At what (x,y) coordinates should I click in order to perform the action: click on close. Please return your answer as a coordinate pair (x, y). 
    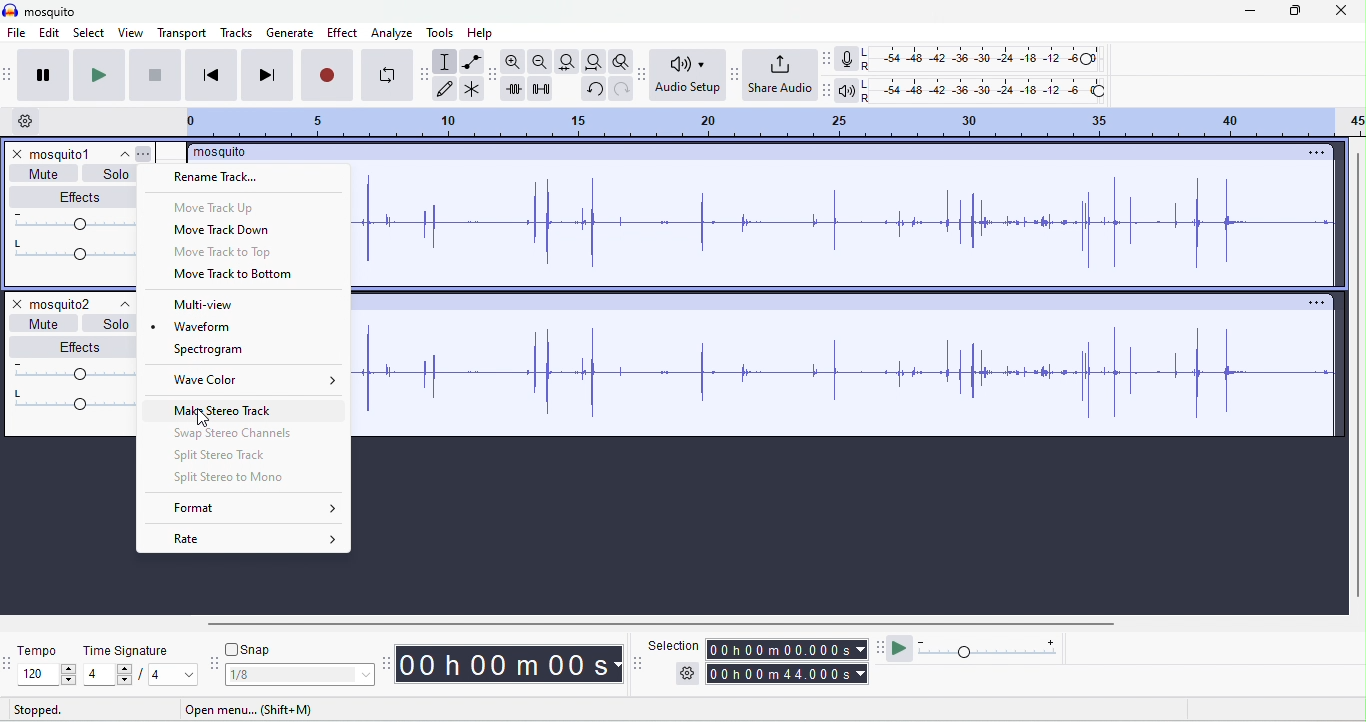
    Looking at the image, I should click on (19, 301).